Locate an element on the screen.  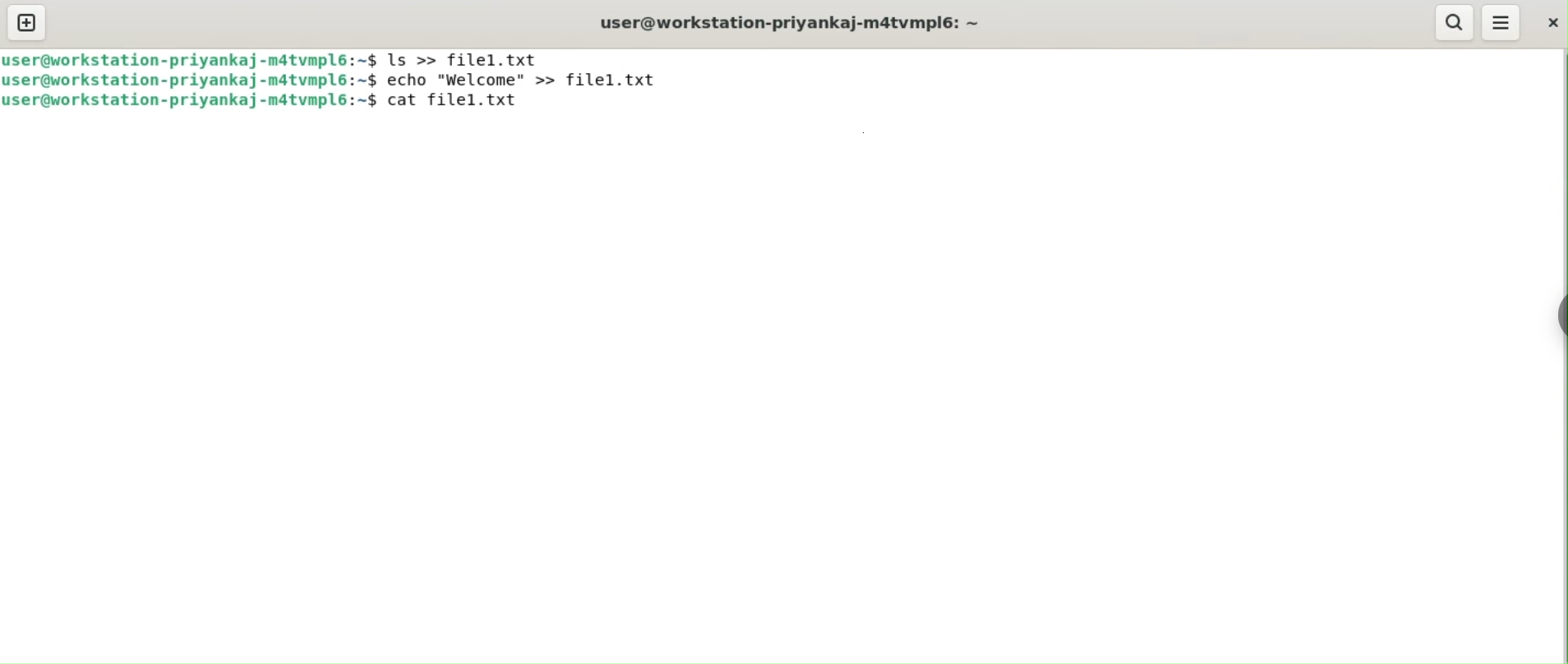
new tab is located at coordinates (27, 22).